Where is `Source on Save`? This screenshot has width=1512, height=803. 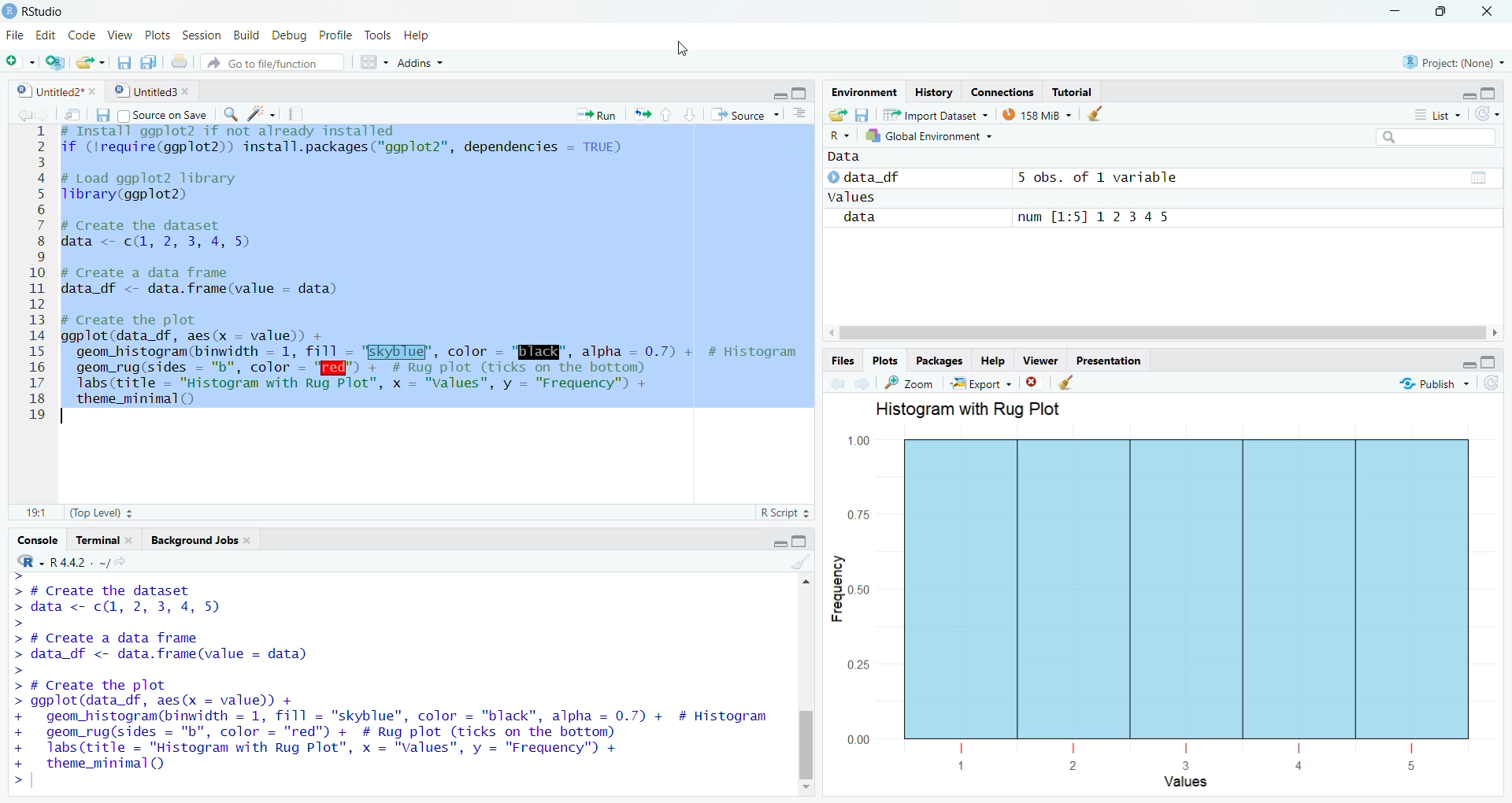
Source on Save is located at coordinates (166, 113).